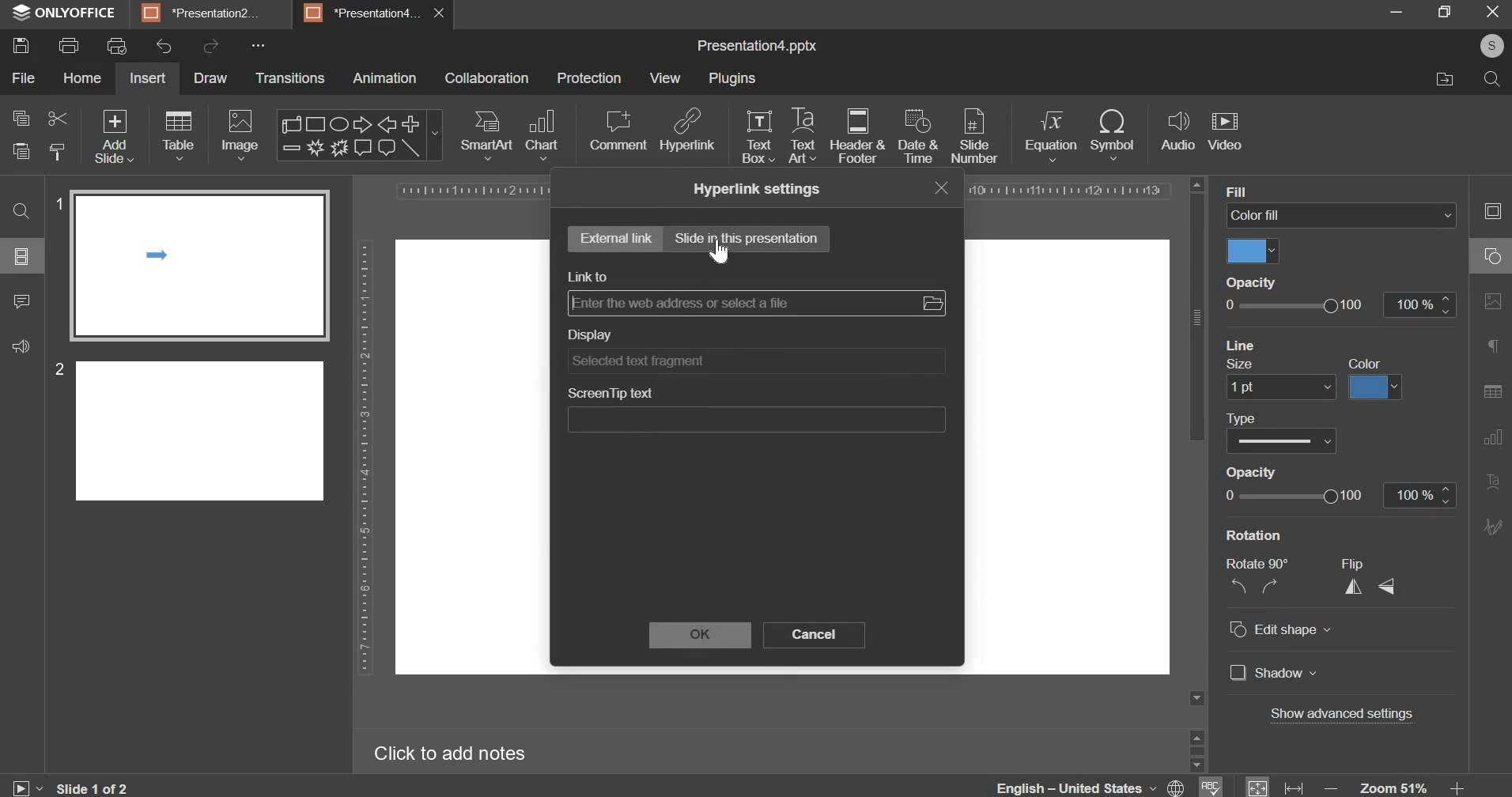 The image size is (1512, 797). Describe the element at coordinates (191, 262) in the screenshot. I see `slide 1` at that location.